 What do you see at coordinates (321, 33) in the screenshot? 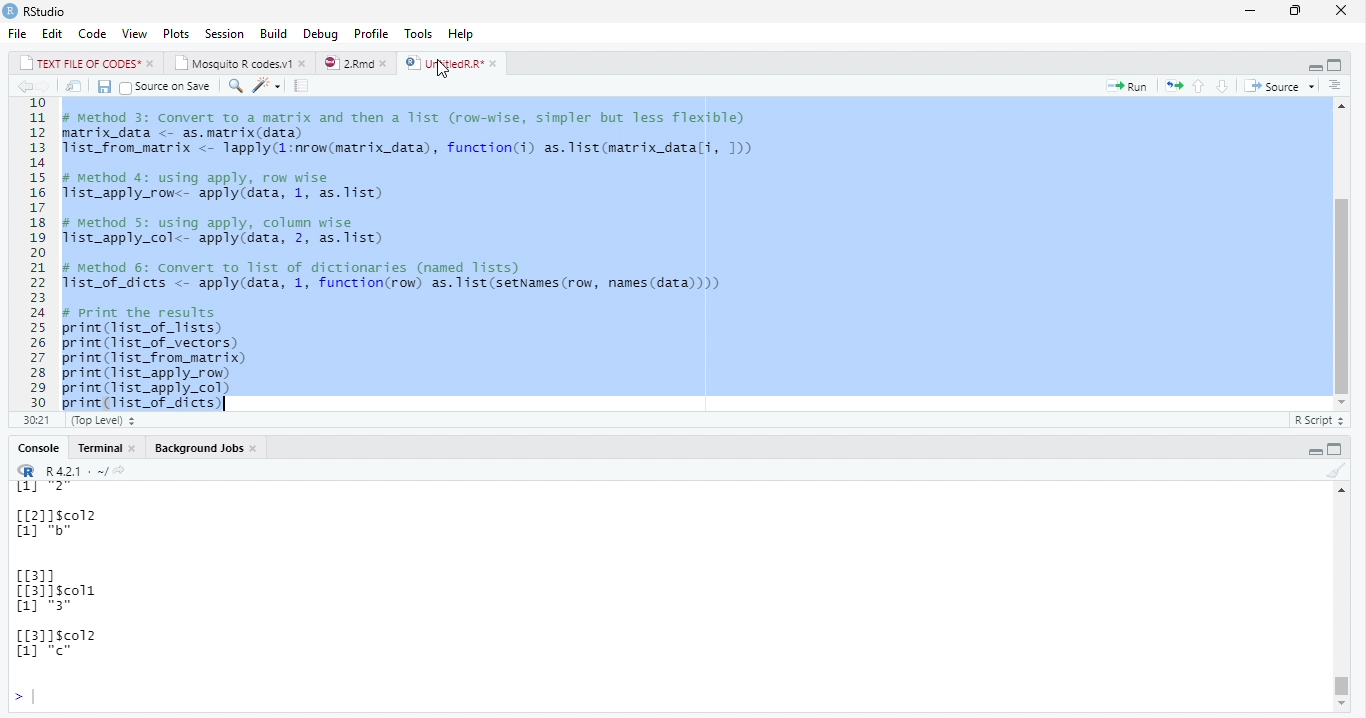
I see `Debug` at bounding box center [321, 33].